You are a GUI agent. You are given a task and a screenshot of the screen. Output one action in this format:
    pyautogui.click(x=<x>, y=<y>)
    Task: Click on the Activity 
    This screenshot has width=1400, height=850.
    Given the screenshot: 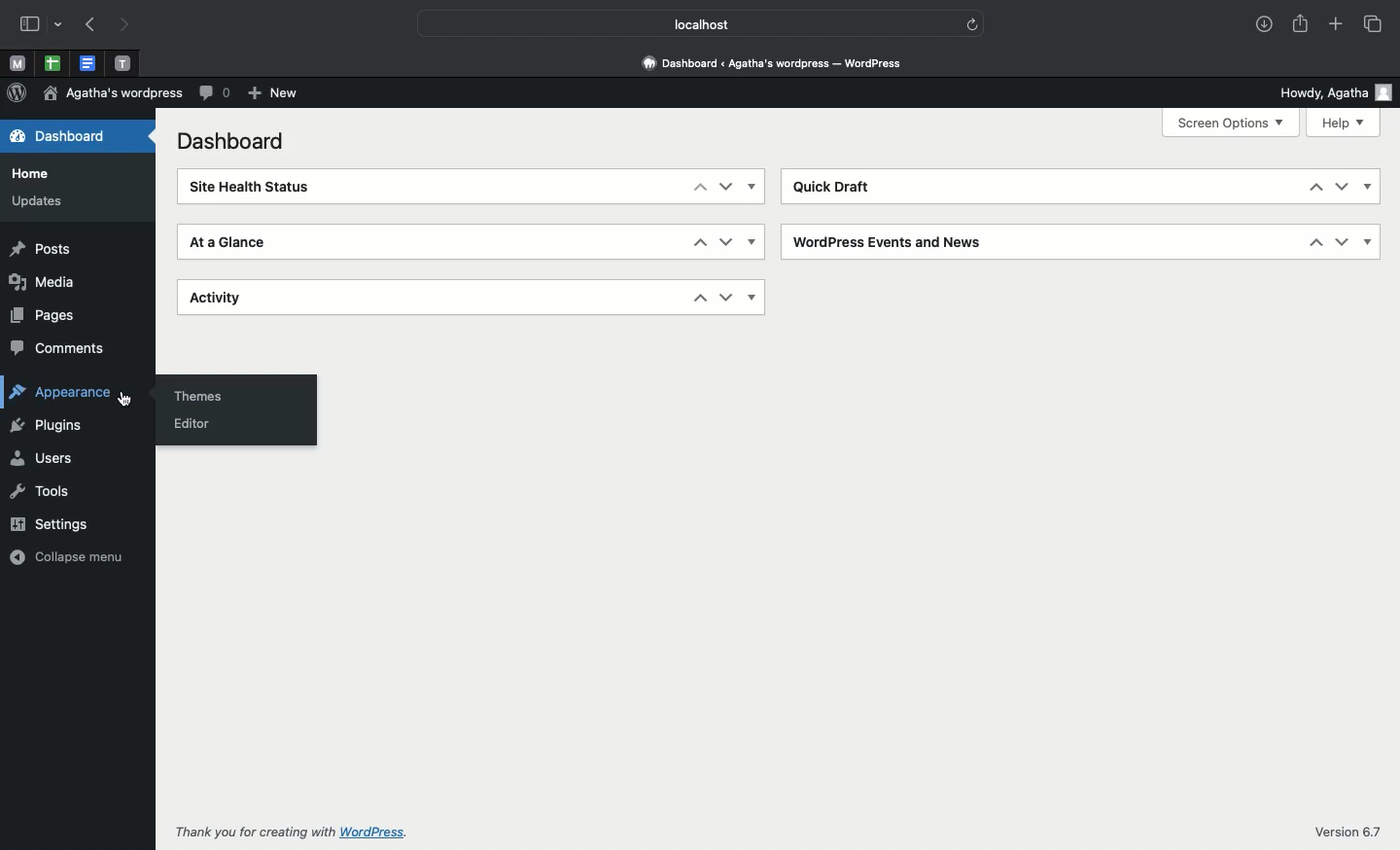 What is the action you would take?
    pyautogui.click(x=231, y=298)
    